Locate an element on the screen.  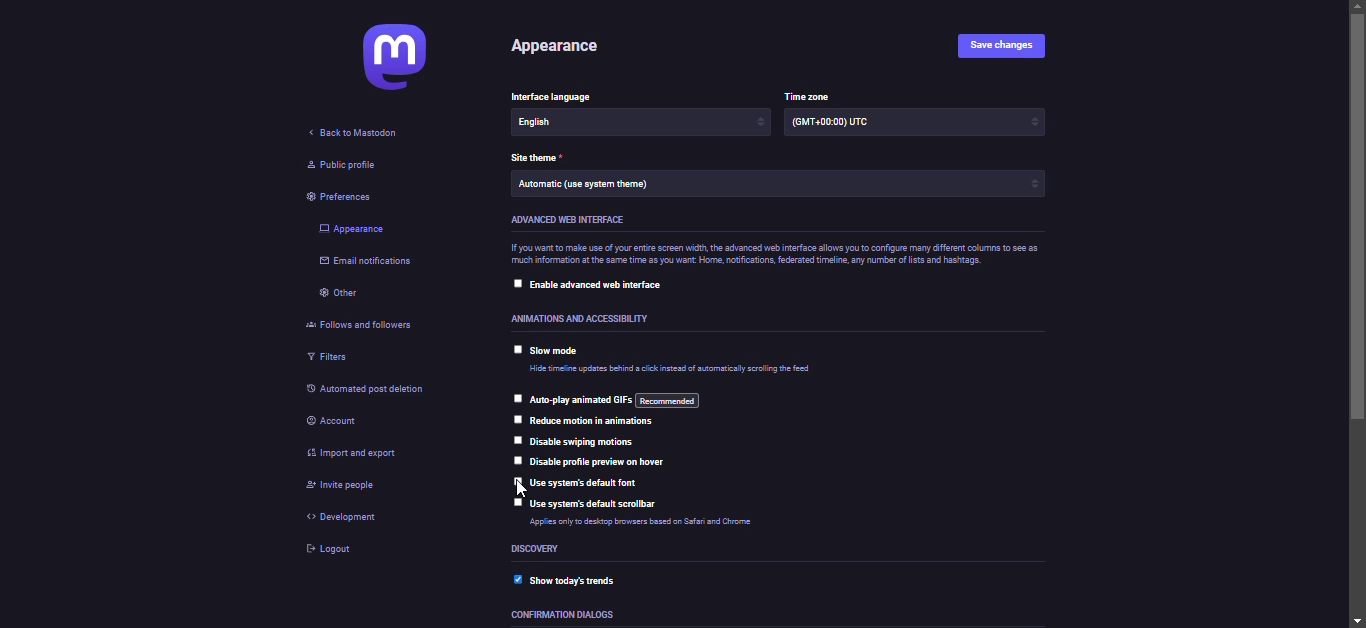
info is located at coordinates (772, 255).